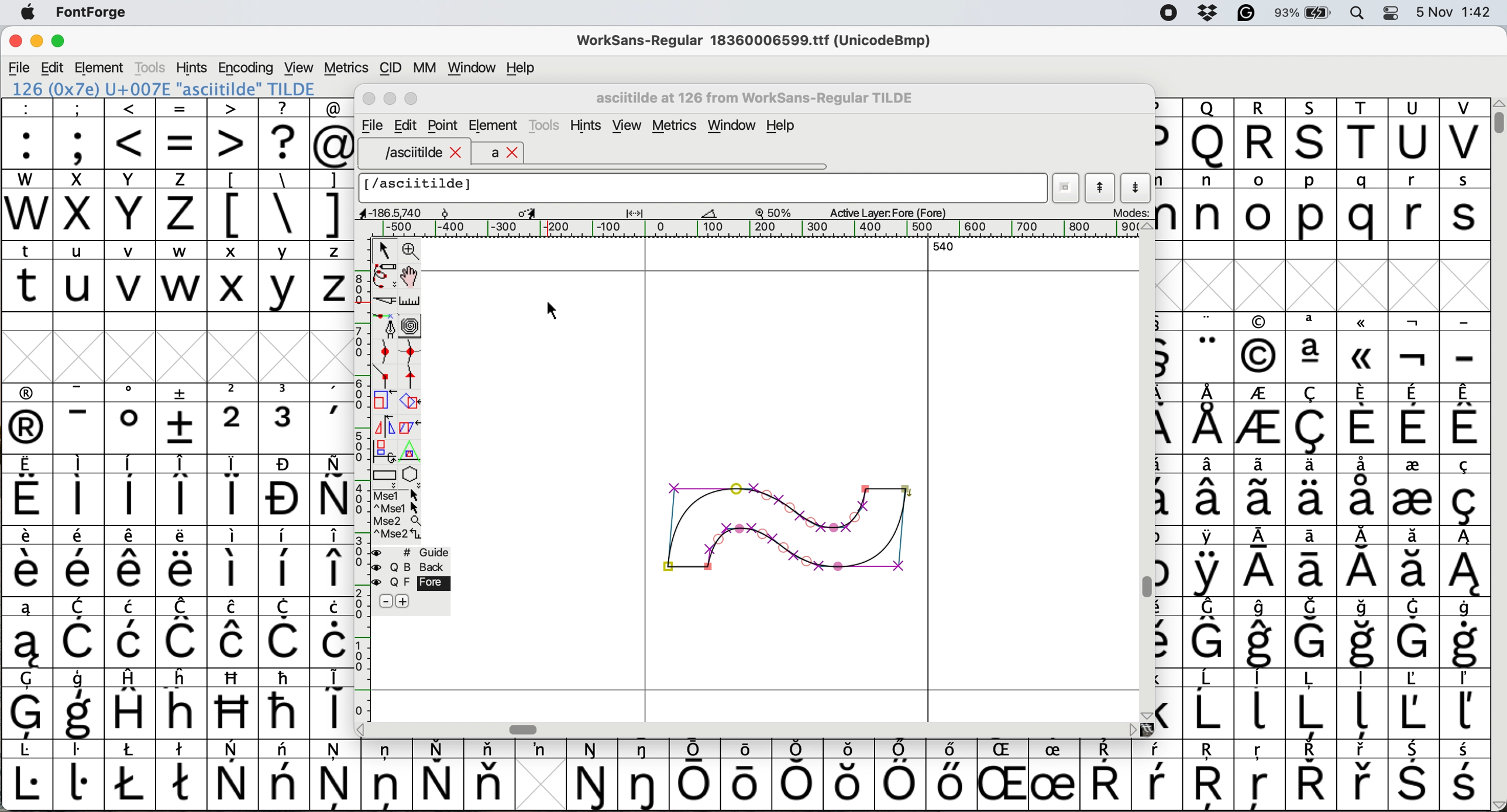 This screenshot has width=1507, height=812. I want to click on maximise, so click(59, 44).